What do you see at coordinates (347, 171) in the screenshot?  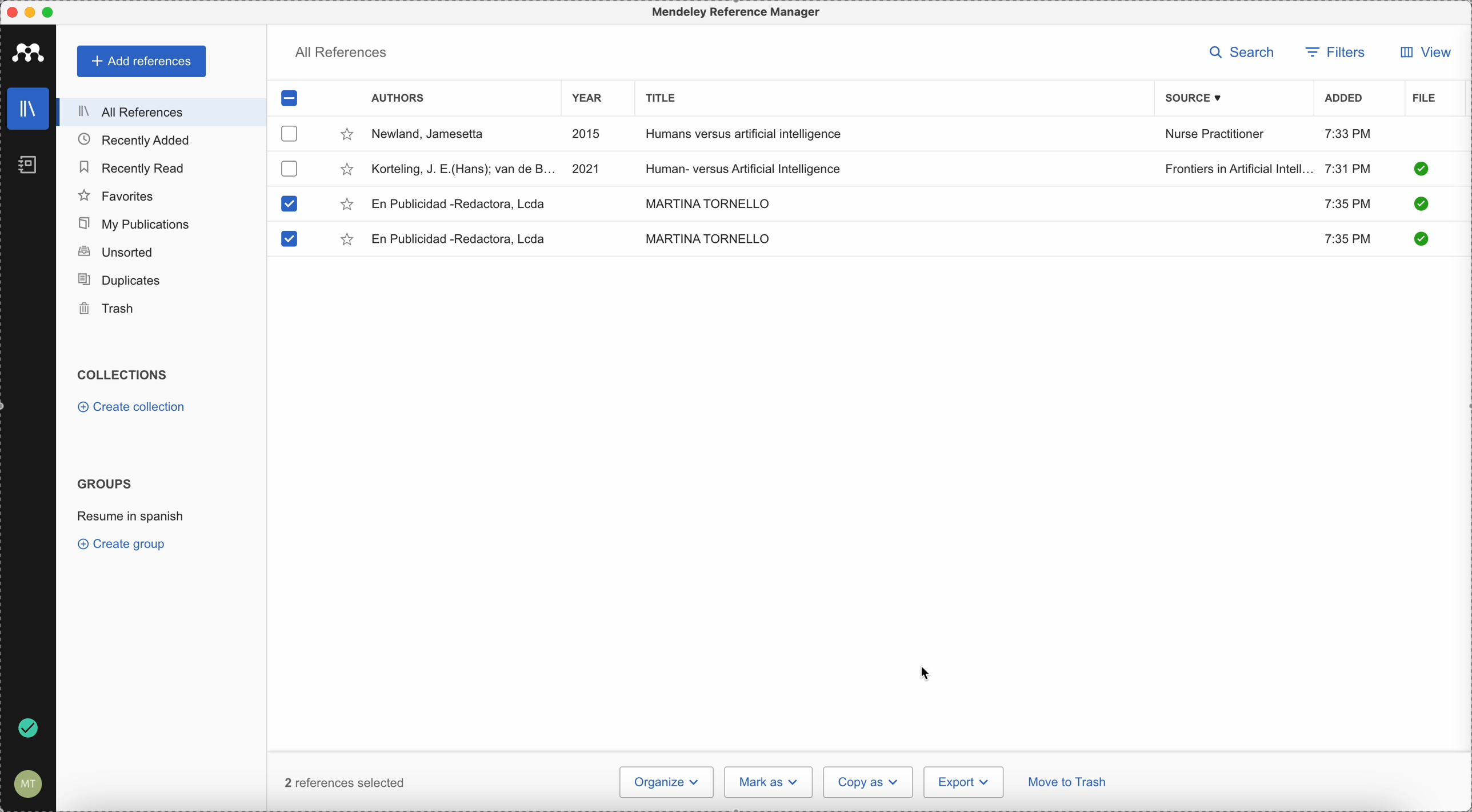 I see `favorite` at bounding box center [347, 171].